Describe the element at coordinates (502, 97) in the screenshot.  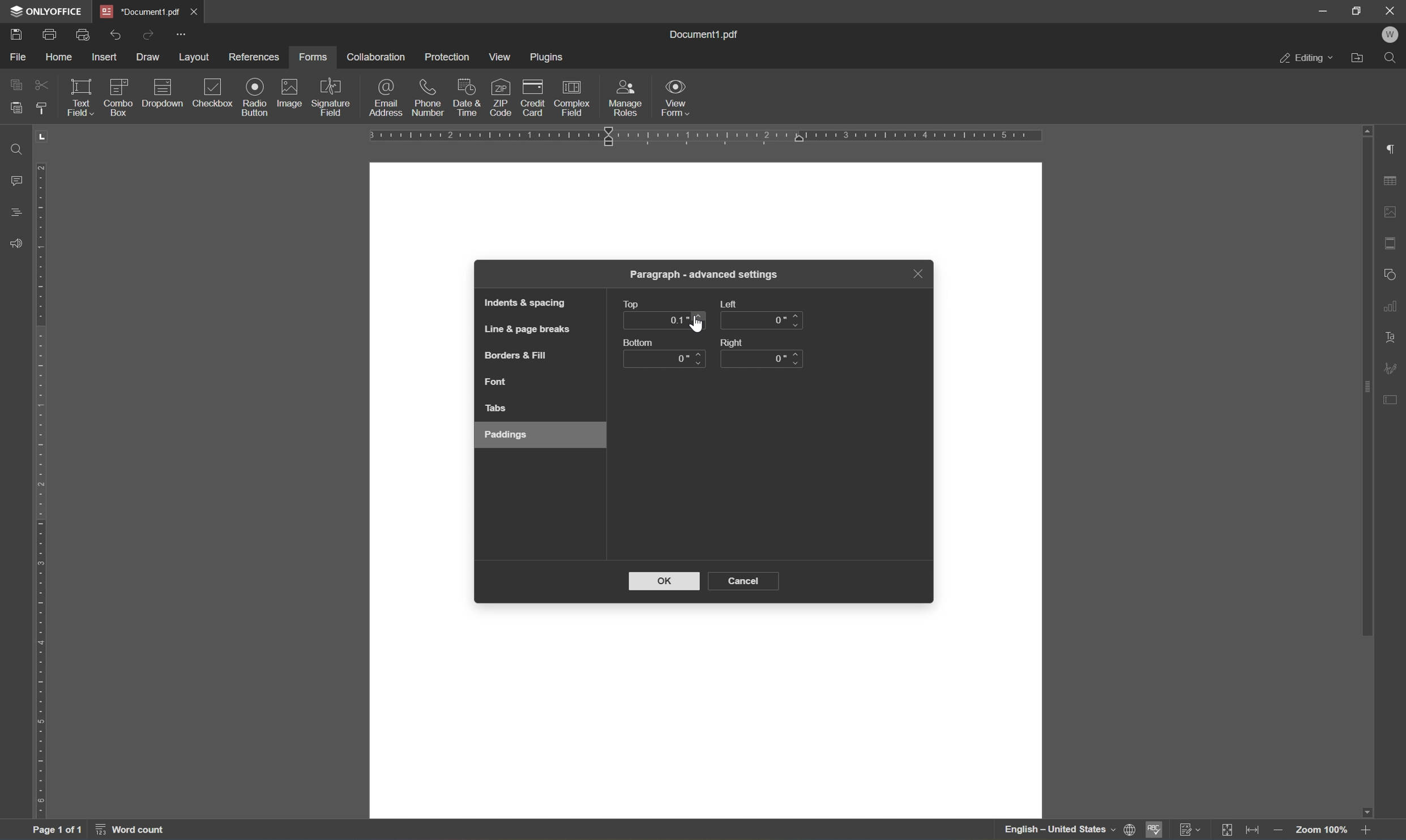
I see `zip code` at that location.